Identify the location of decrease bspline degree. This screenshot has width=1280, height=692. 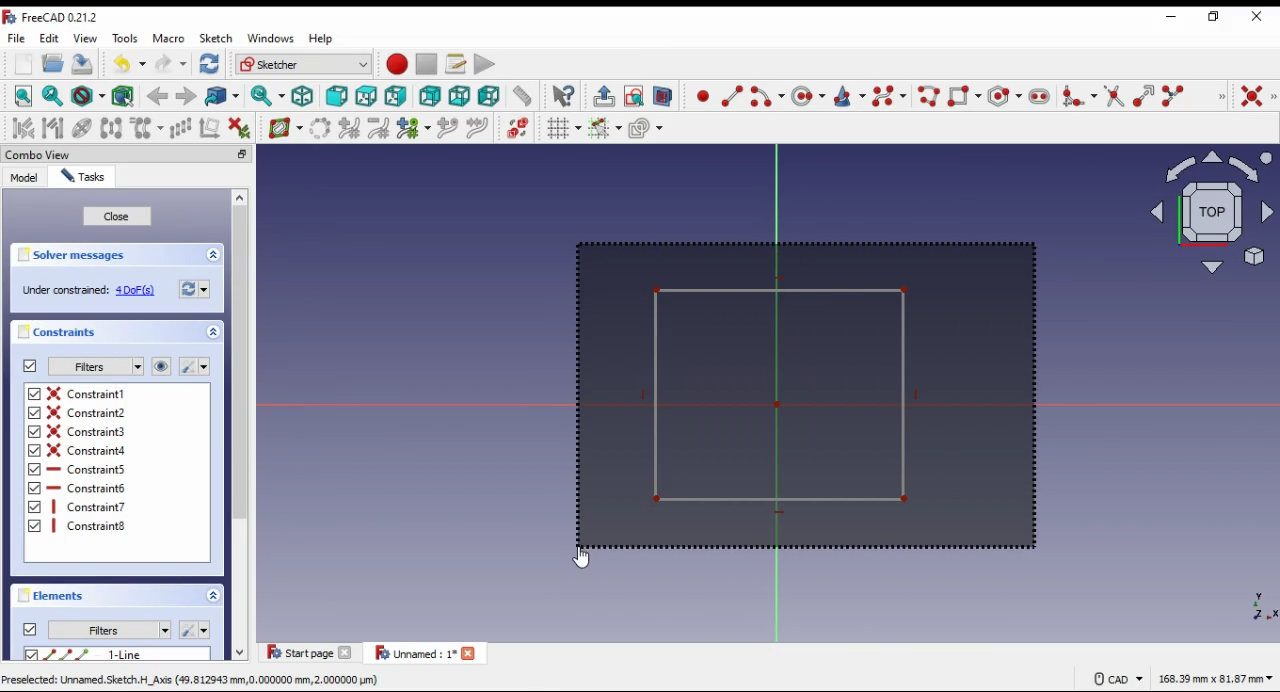
(379, 128).